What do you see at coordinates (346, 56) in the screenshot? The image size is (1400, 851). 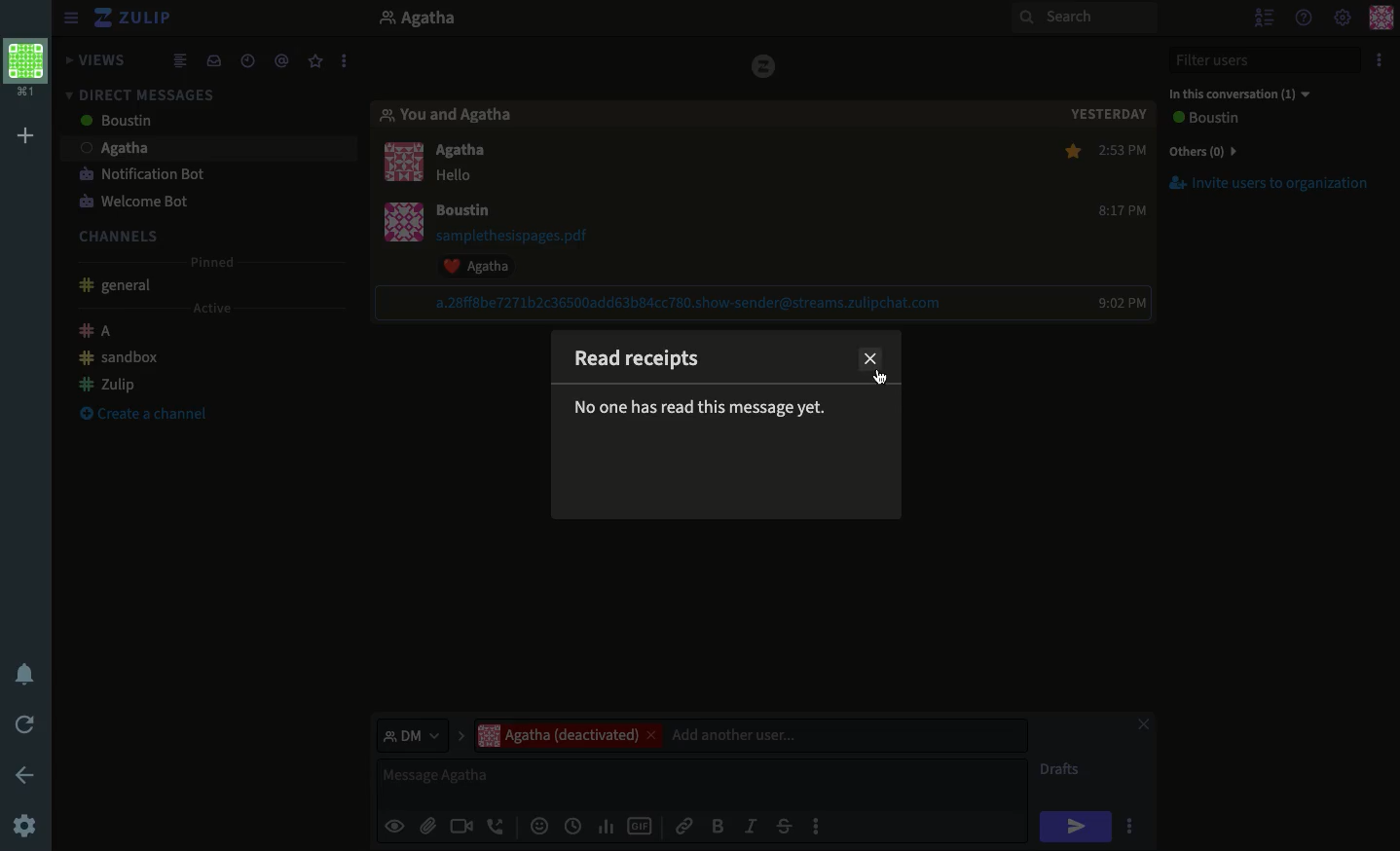 I see `options` at bounding box center [346, 56].